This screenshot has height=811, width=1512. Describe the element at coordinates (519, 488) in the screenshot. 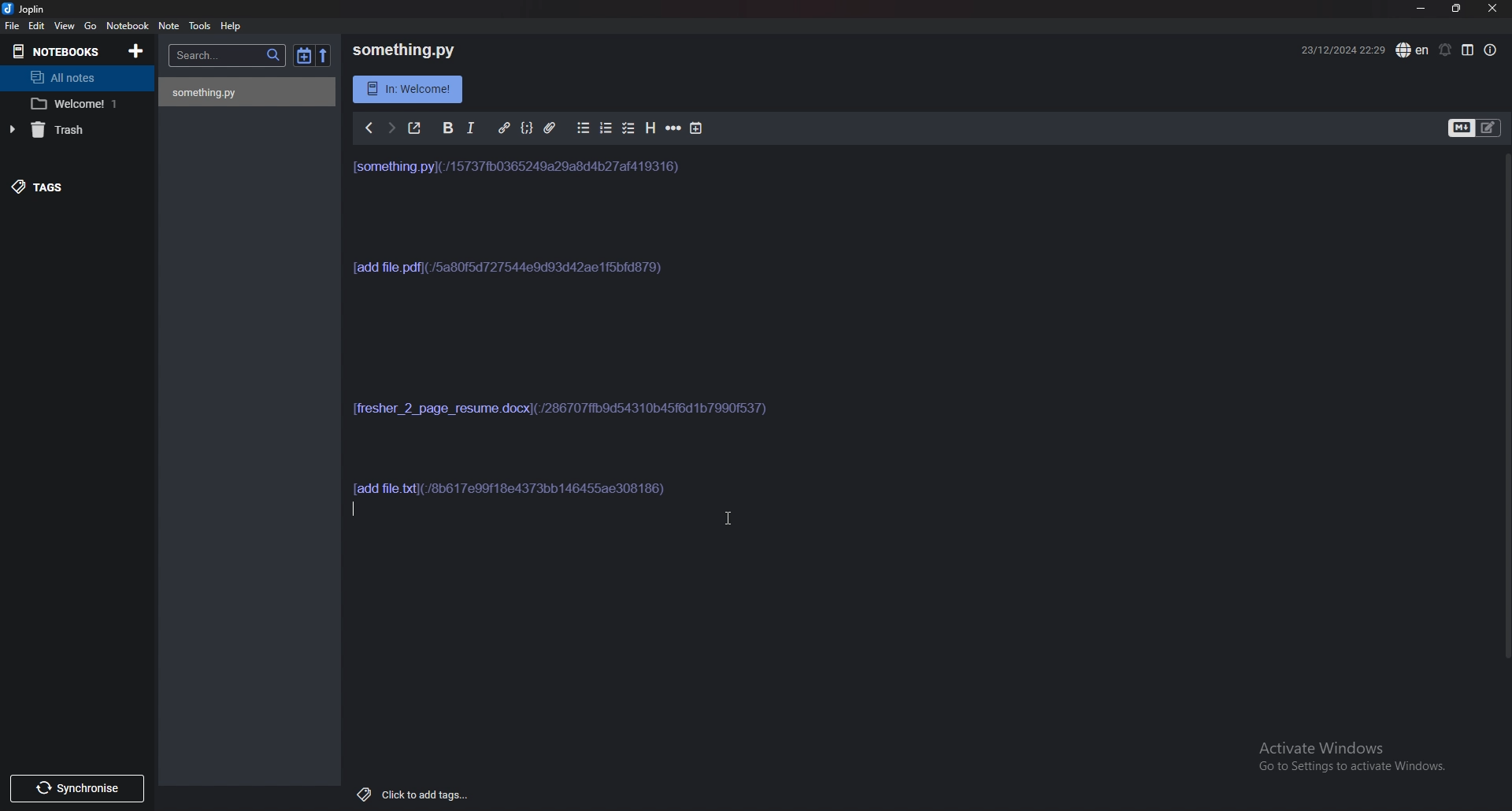

I see `[add file.txt](-/8b617e99f18e4373bb 1464552308186)
|` at that location.